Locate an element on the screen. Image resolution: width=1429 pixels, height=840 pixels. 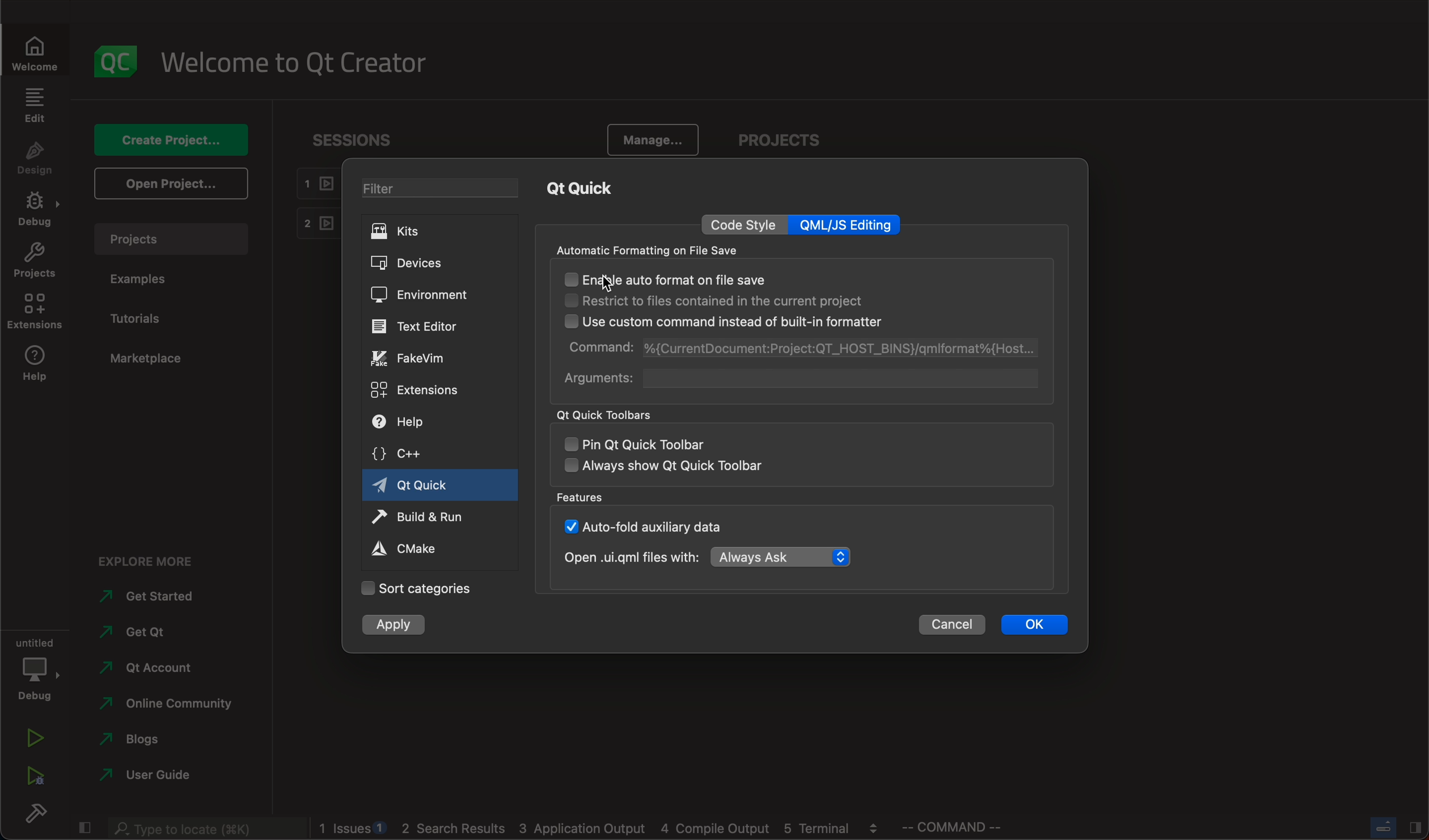
qt quick is located at coordinates (425, 486).